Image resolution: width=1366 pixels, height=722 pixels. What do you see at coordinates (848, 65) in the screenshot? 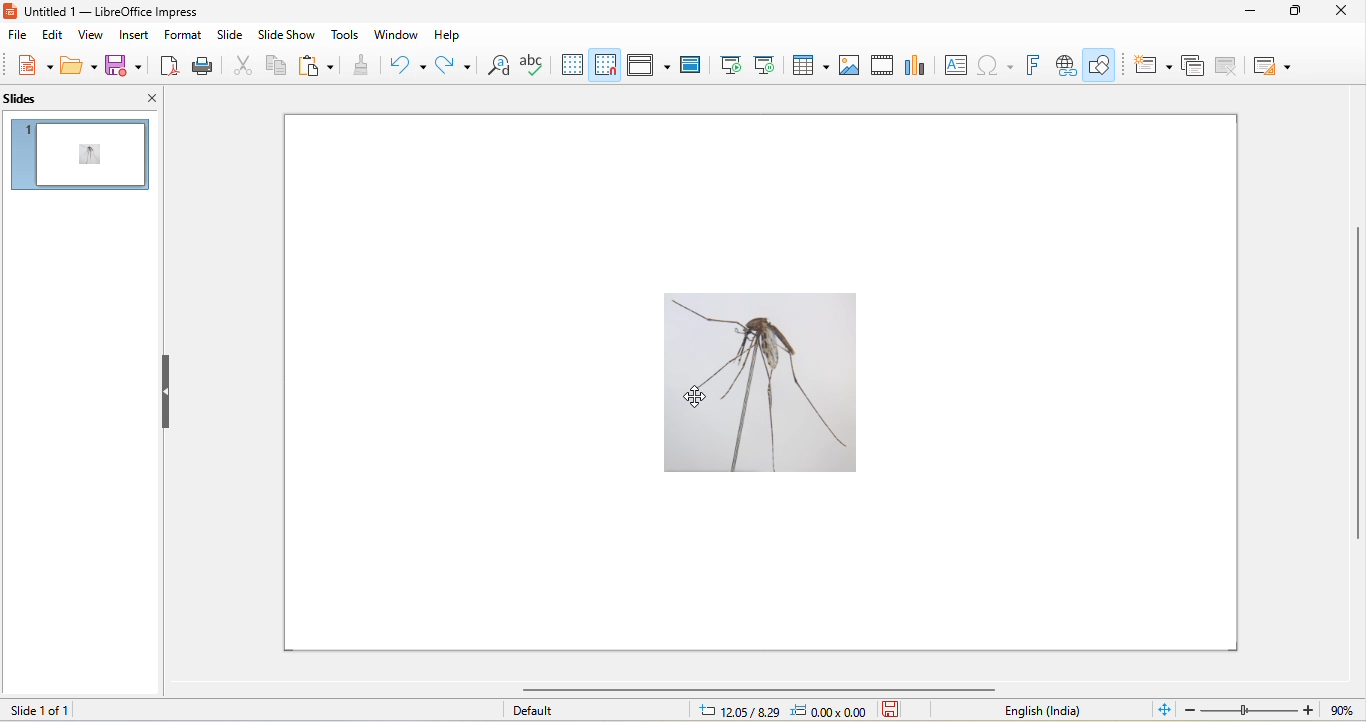
I see `image` at bounding box center [848, 65].